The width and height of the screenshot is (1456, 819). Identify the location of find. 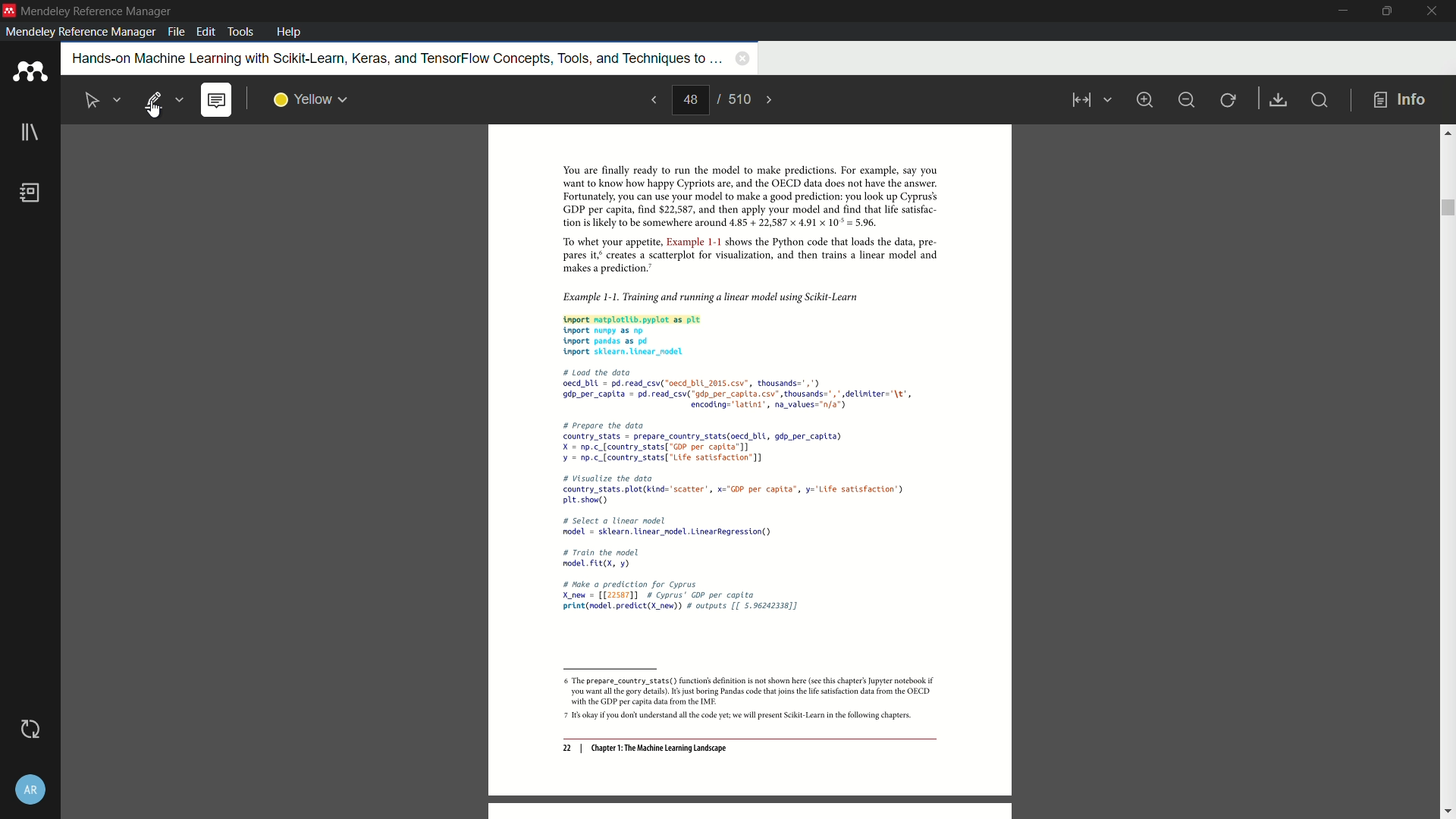
(1318, 99).